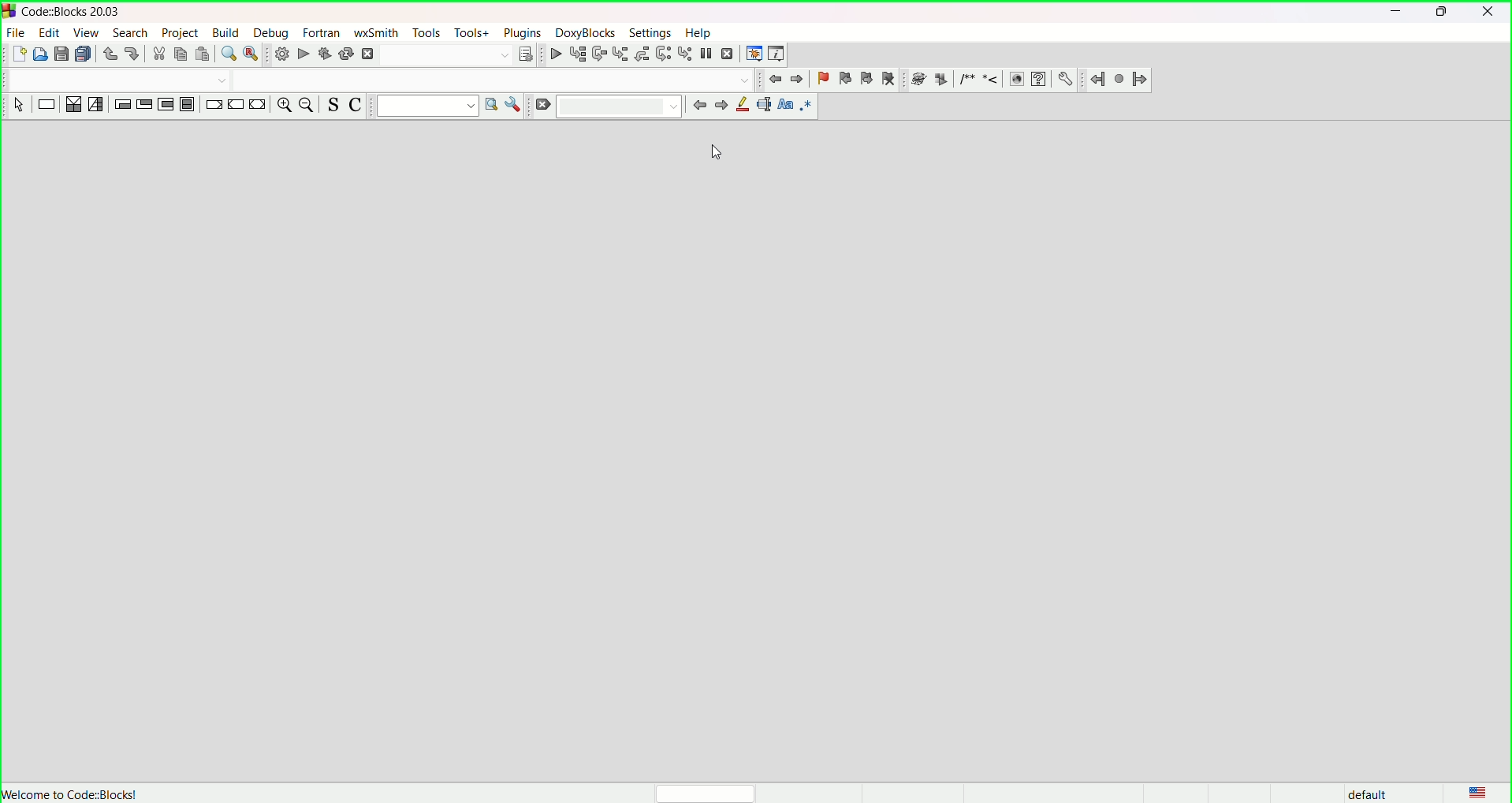  What do you see at coordinates (721, 106) in the screenshot?
I see `next` at bounding box center [721, 106].